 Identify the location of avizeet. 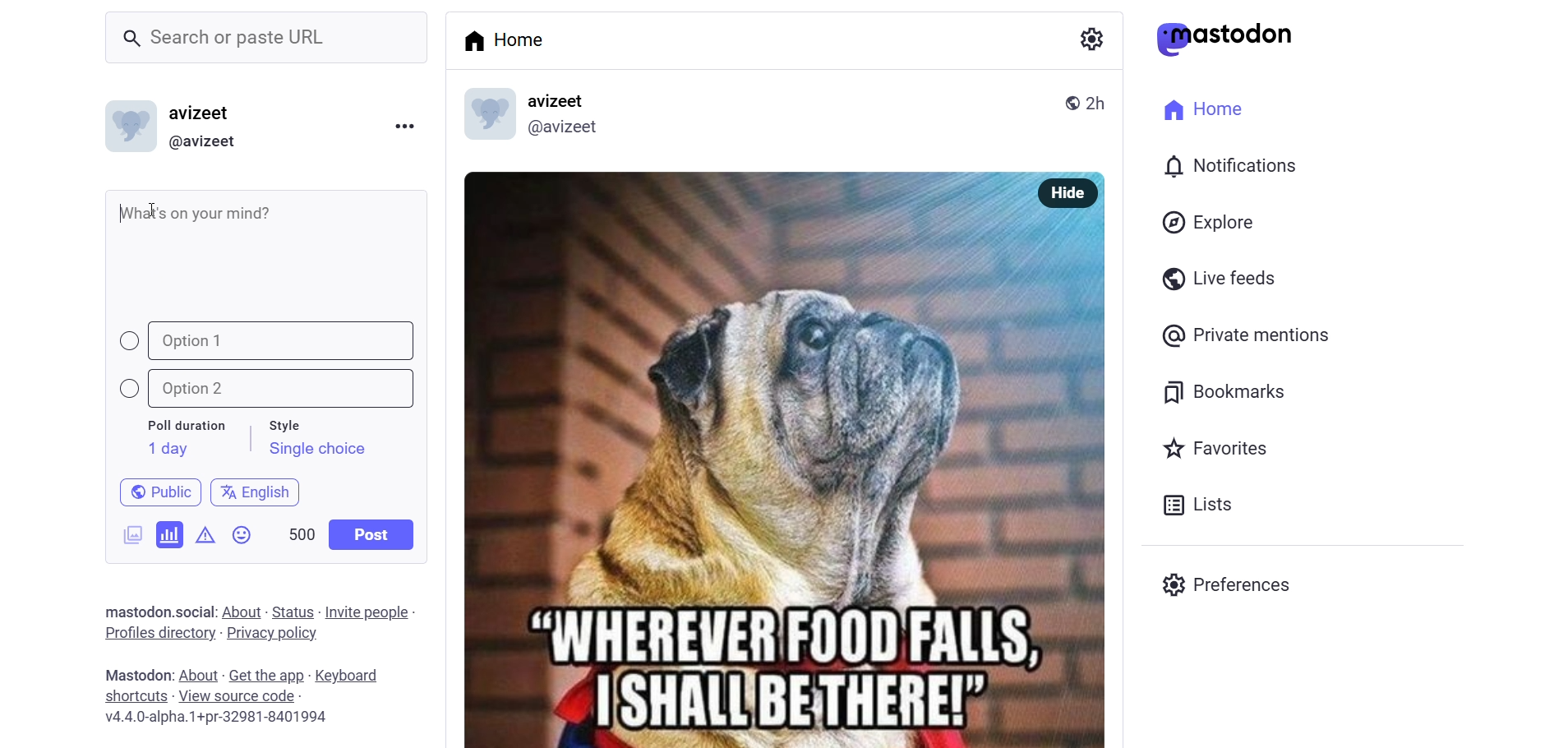
(204, 115).